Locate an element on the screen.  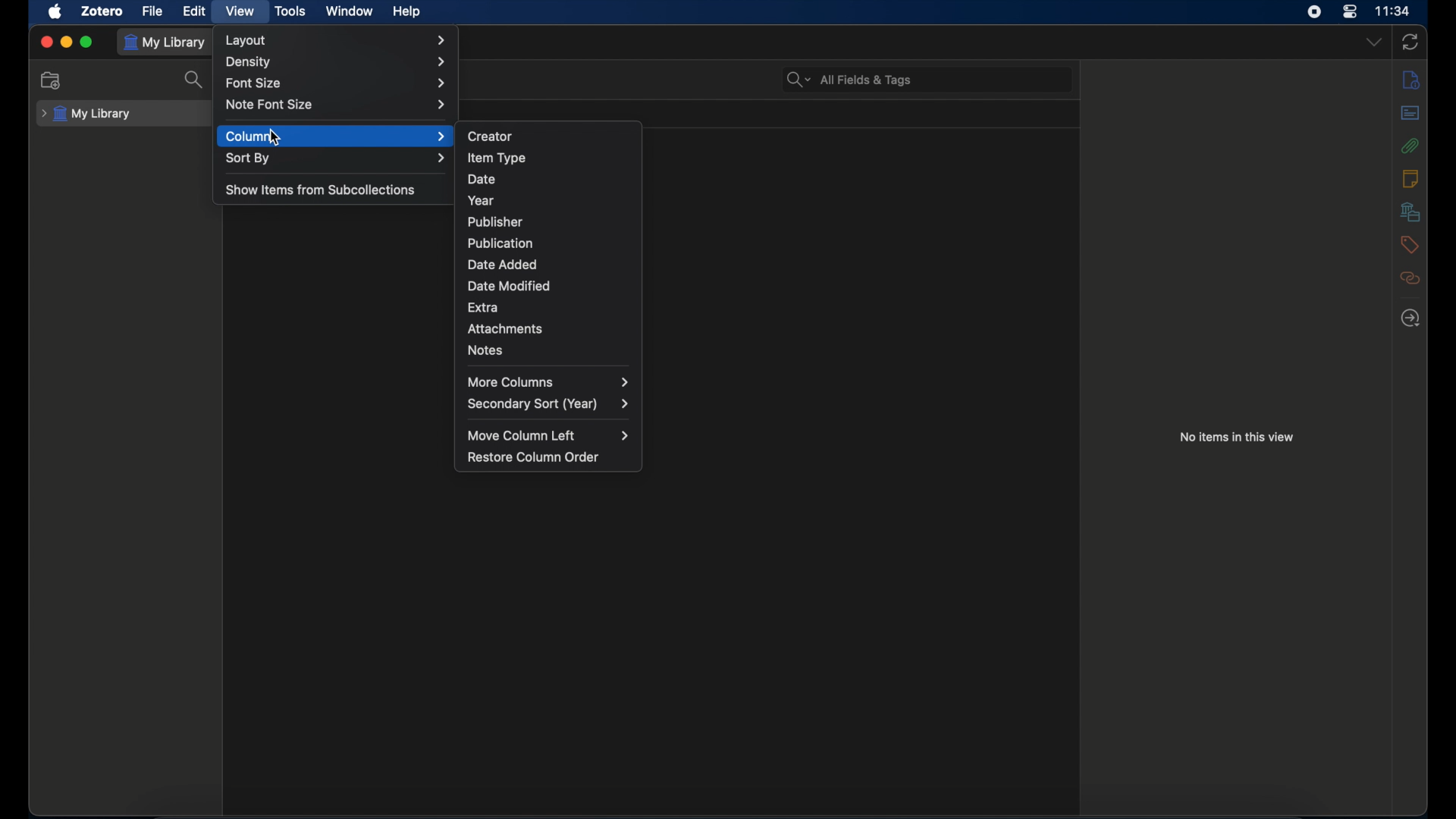
abstract is located at coordinates (1410, 113).